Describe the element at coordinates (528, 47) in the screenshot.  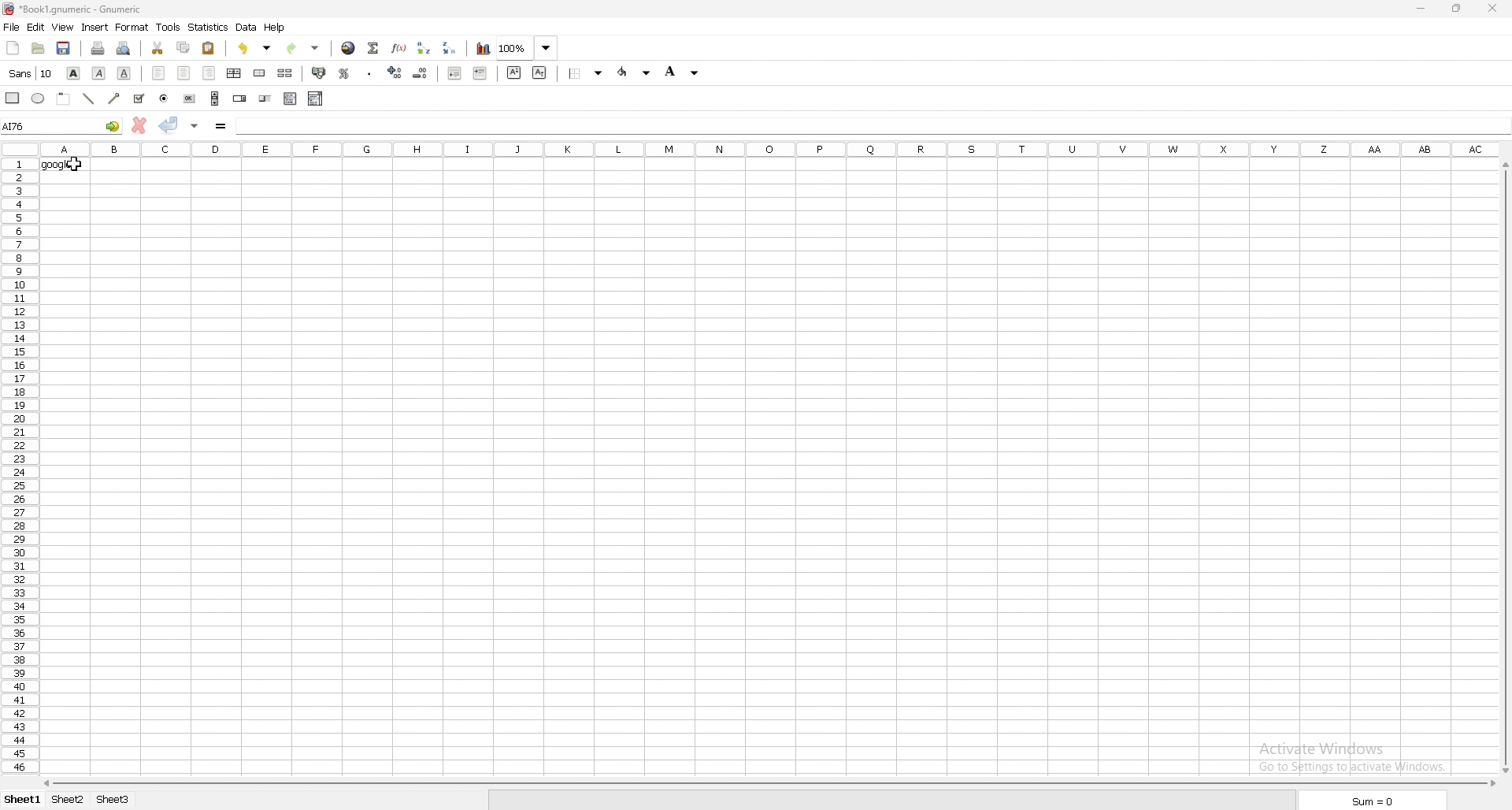
I see `zoom` at that location.